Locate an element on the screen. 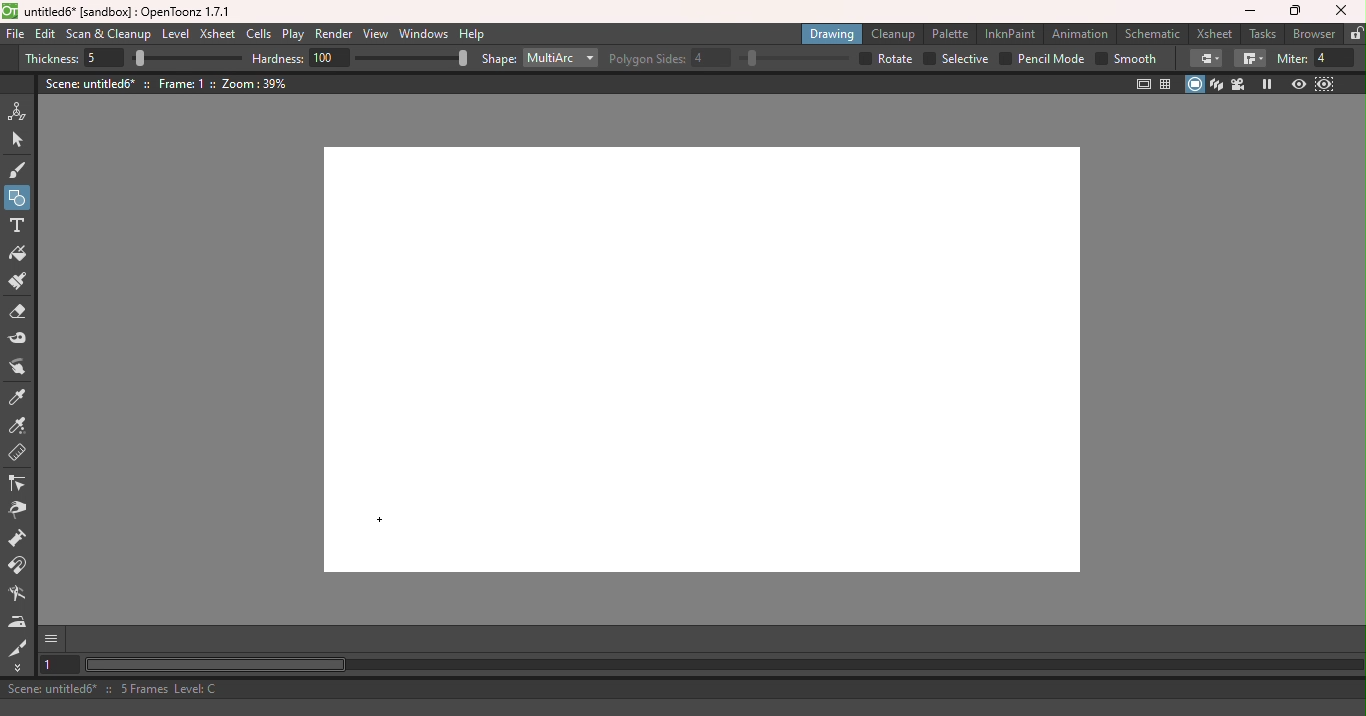  InknPaint is located at coordinates (1010, 34).